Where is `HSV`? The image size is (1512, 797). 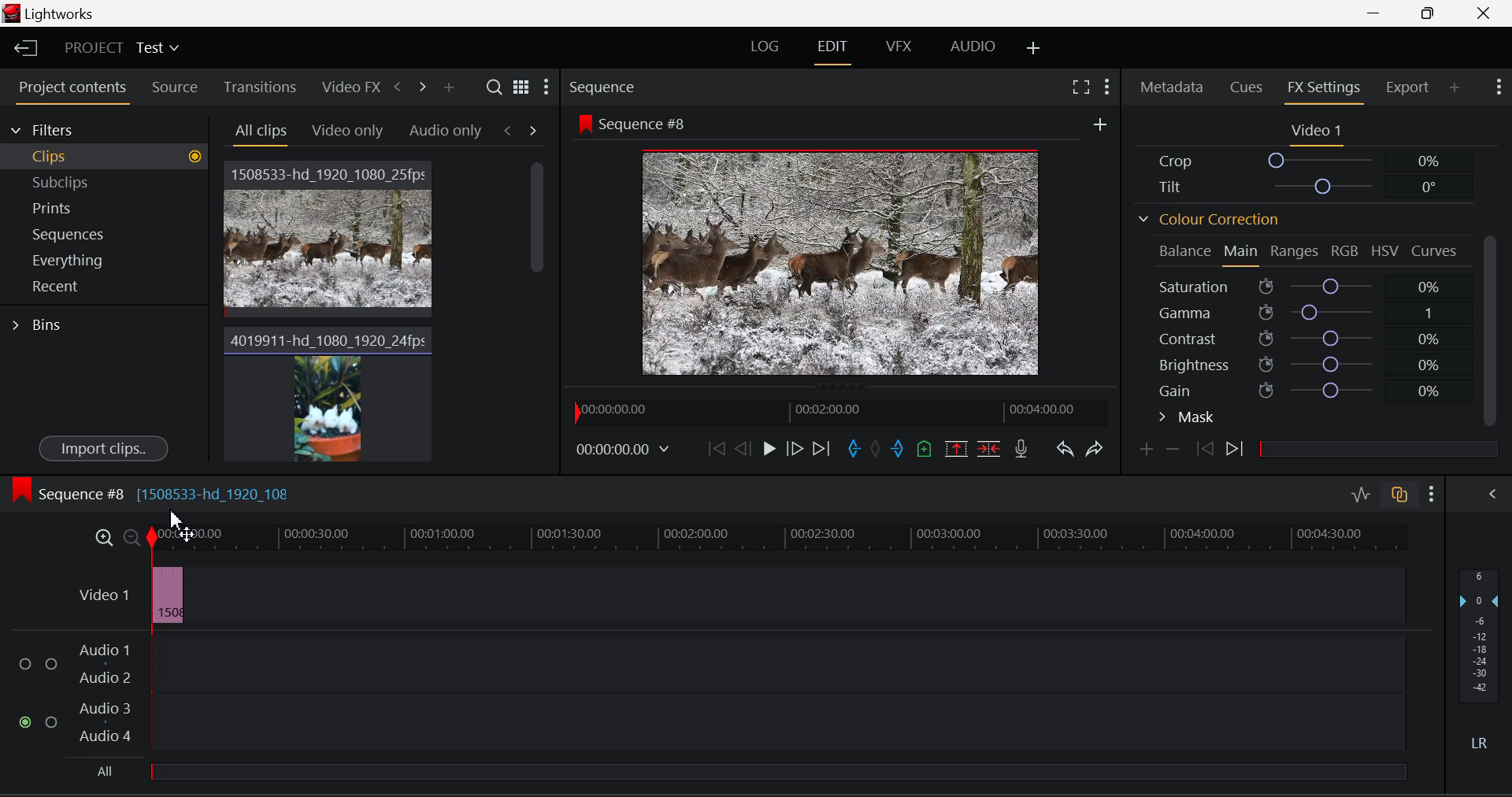
HSV is located at coordinates (1385, 252).